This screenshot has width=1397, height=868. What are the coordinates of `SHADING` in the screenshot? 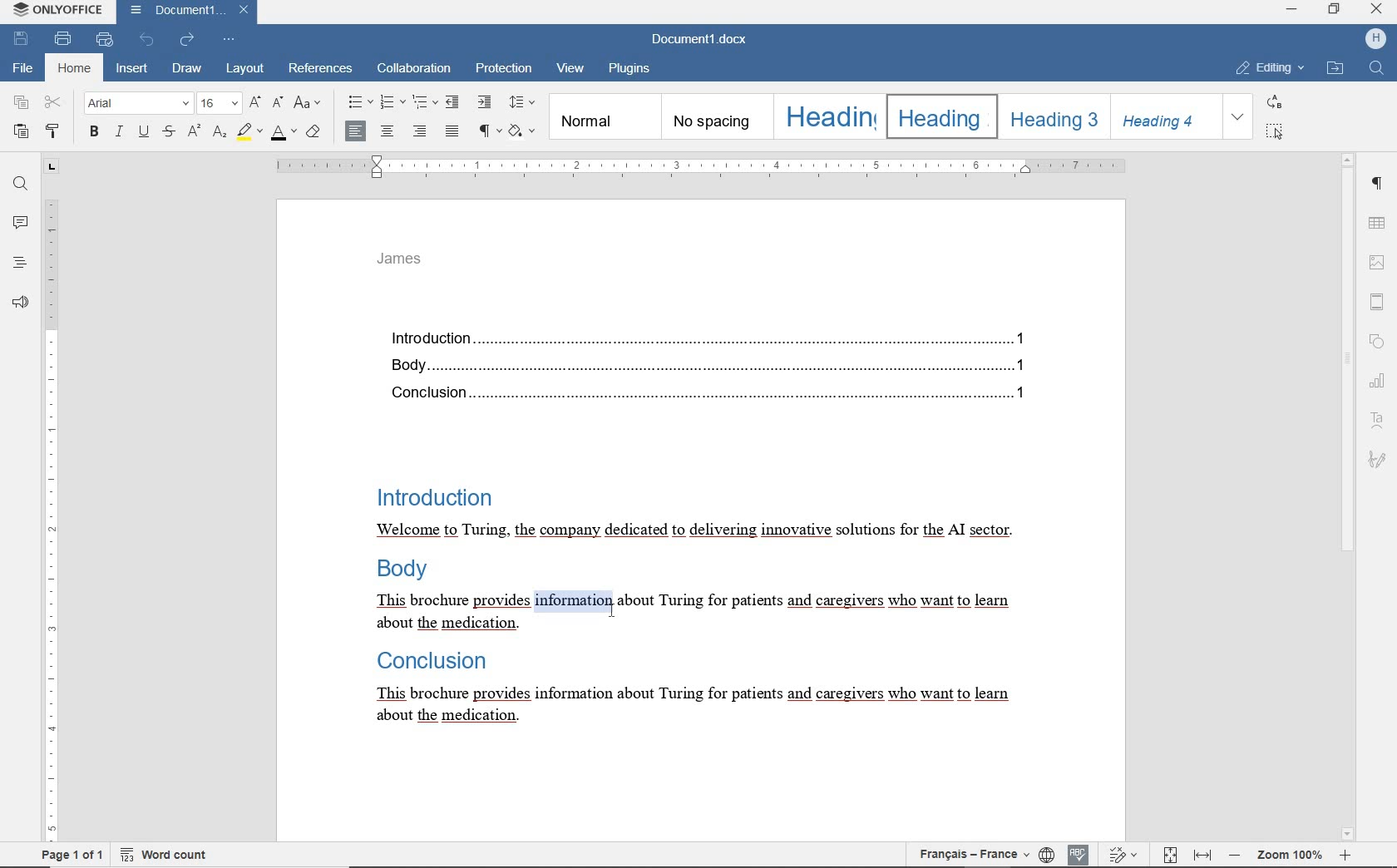 It's located at (523, 131).